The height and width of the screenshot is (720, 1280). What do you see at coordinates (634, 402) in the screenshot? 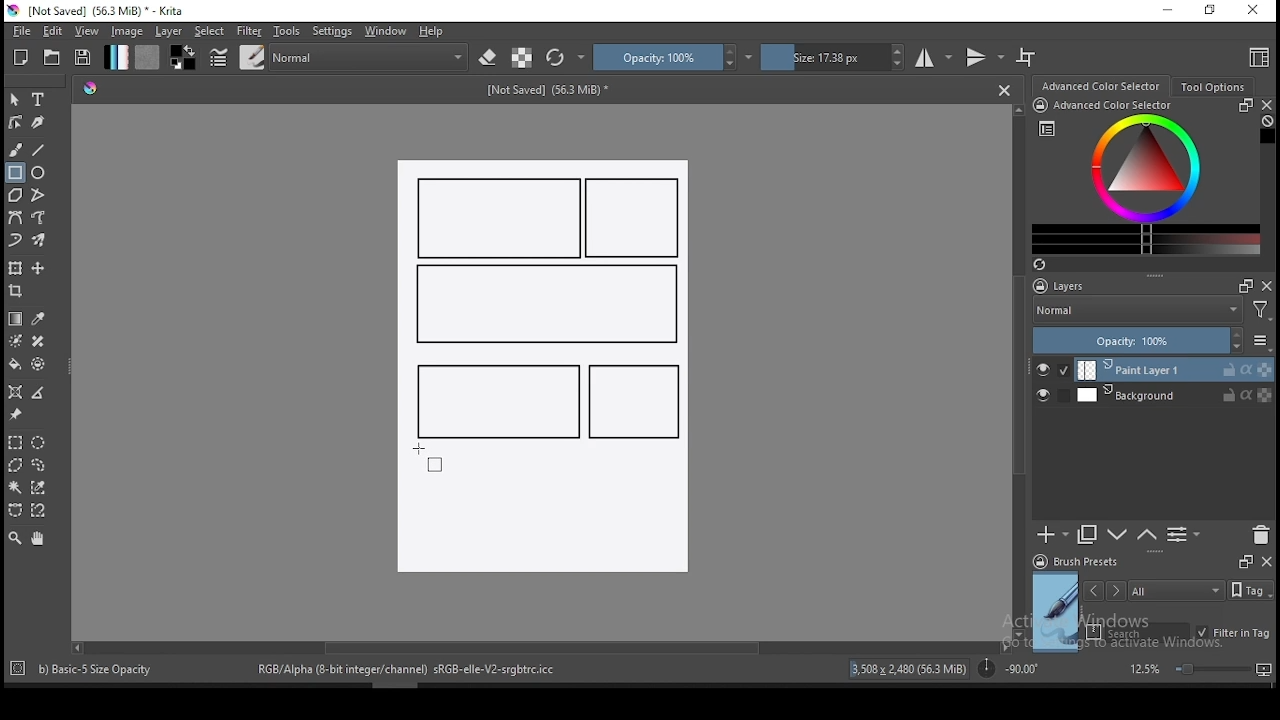
I see `new rectangle` at bounding box center [634, 402].